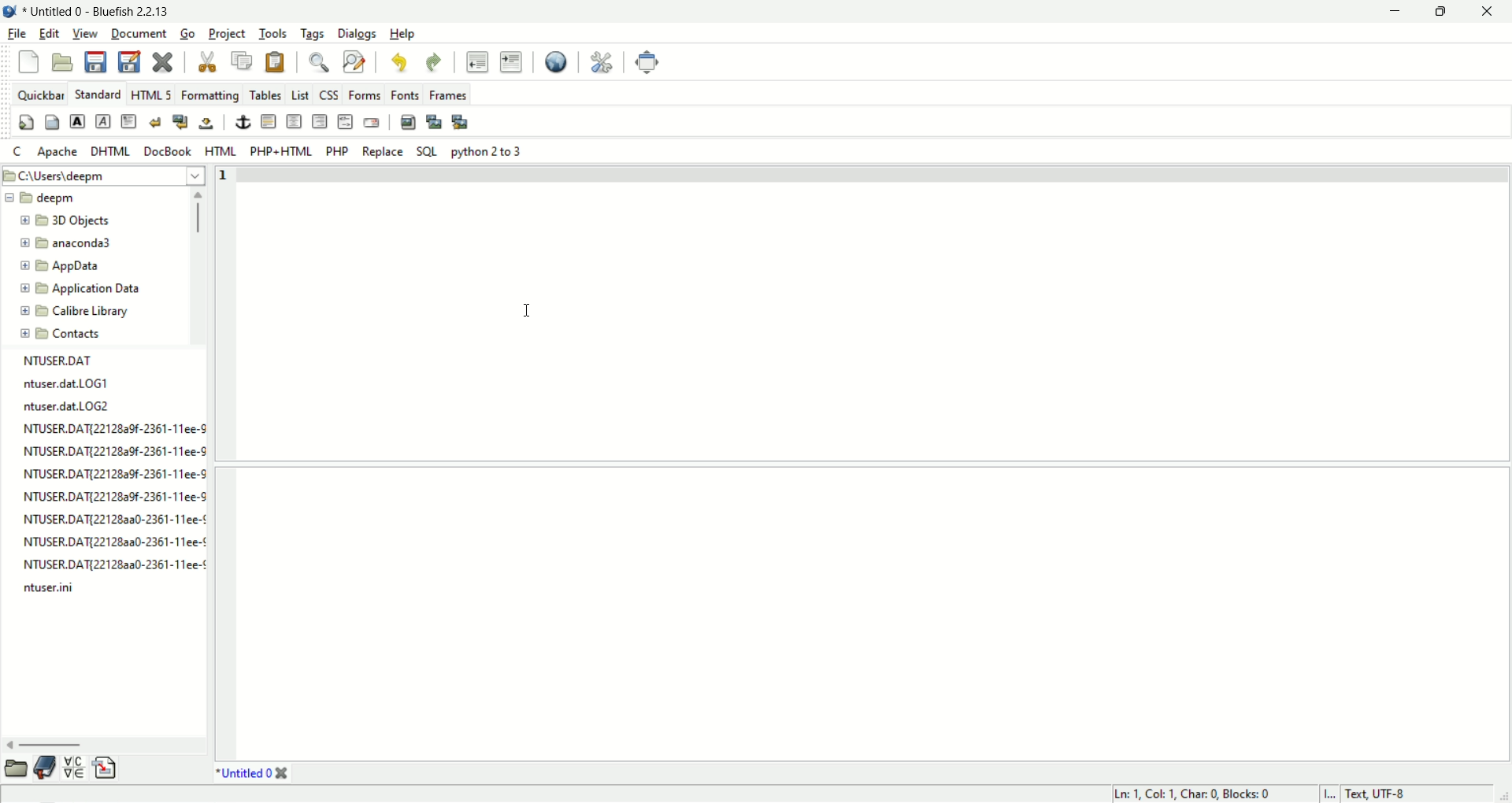 Image resolution: width=1512 pixels, height=803 pixels. I want to click on minimize, so click(1395, 13).